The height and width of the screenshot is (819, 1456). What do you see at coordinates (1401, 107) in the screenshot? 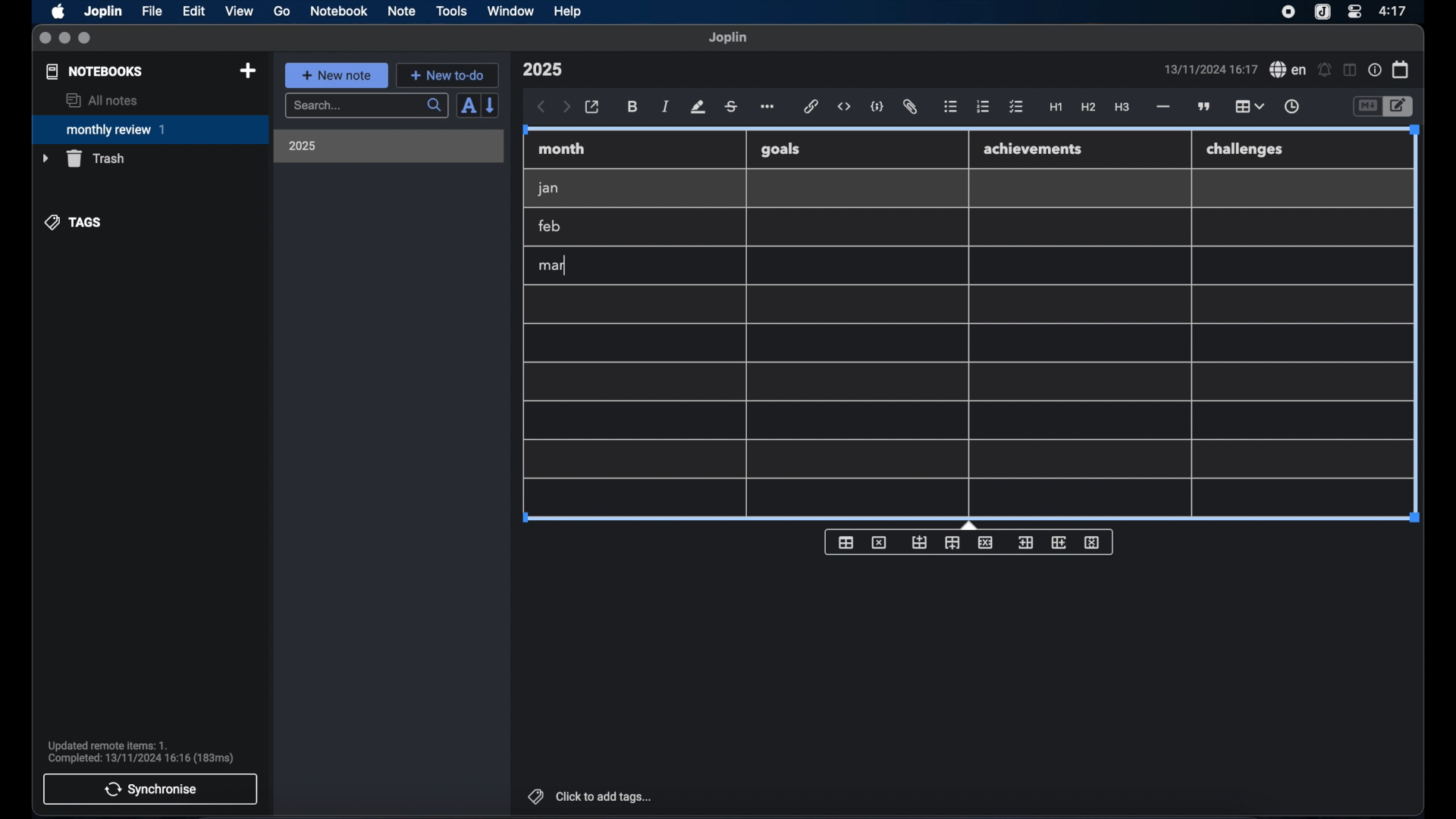
I see `toggle editor` at bounding box center [1401, 107].